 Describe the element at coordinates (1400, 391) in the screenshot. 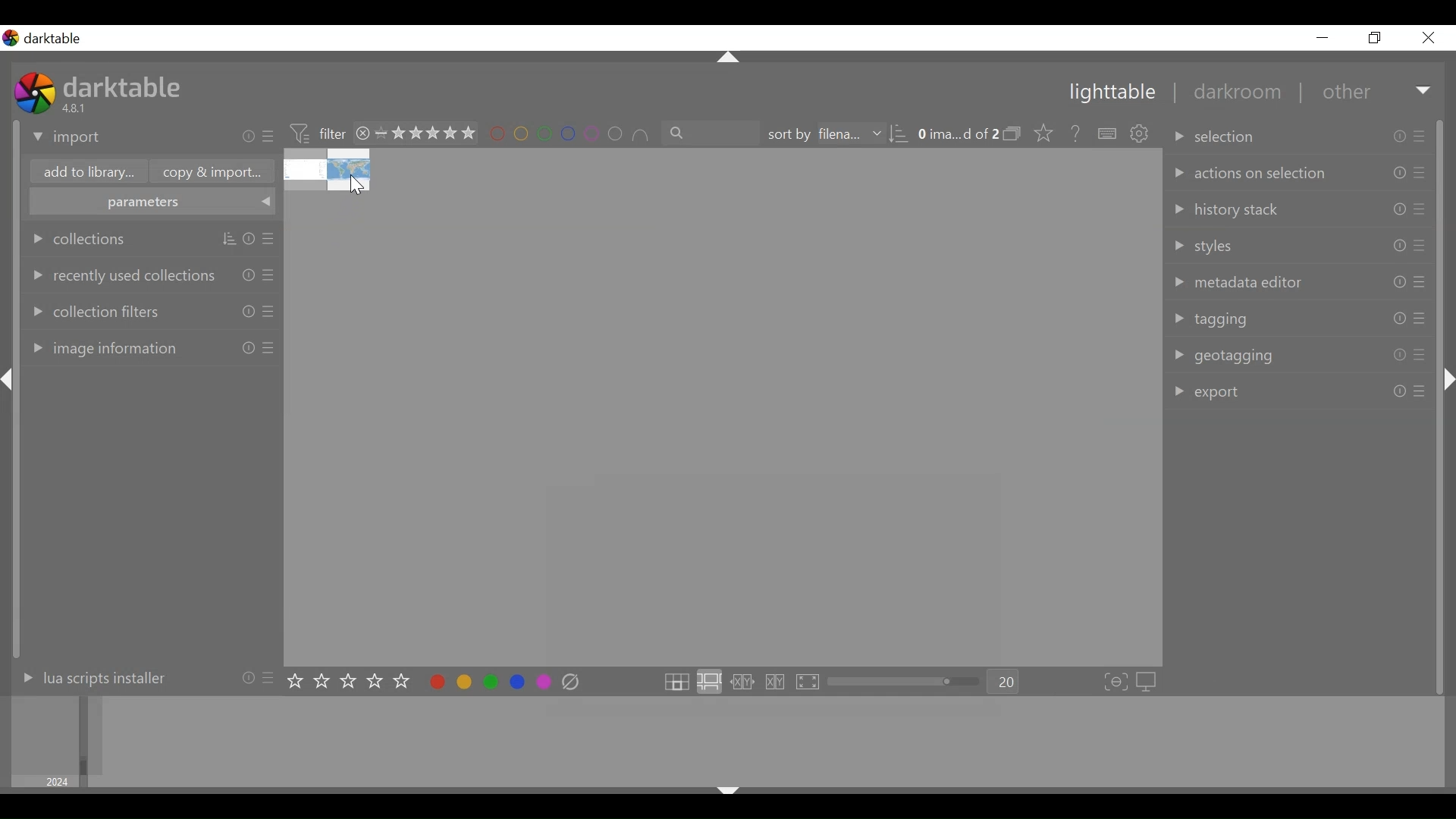

I see `` at that location.